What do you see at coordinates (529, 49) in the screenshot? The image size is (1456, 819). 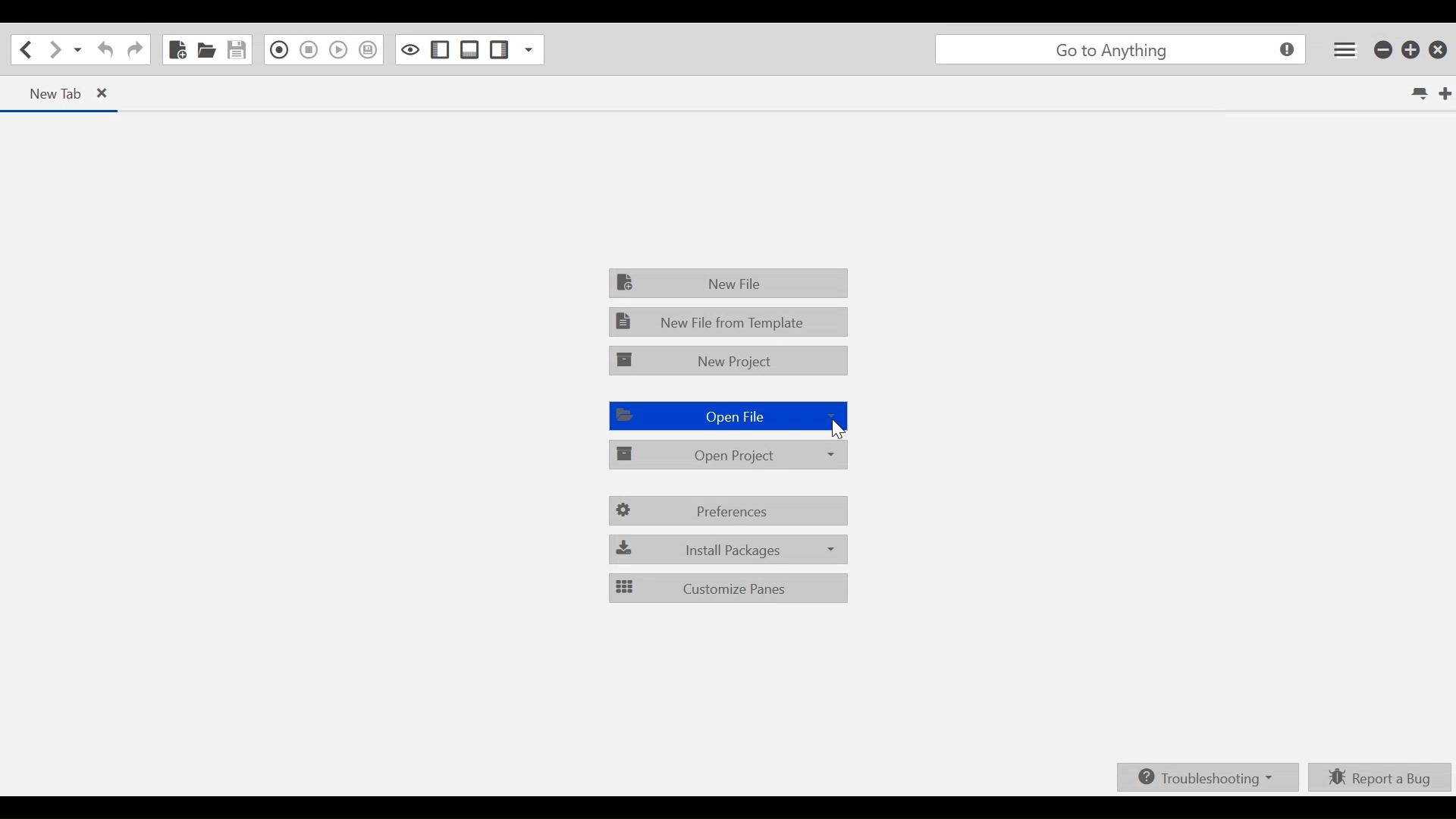 I see `Show specific Sidebar` at bounding box center [529, 49].